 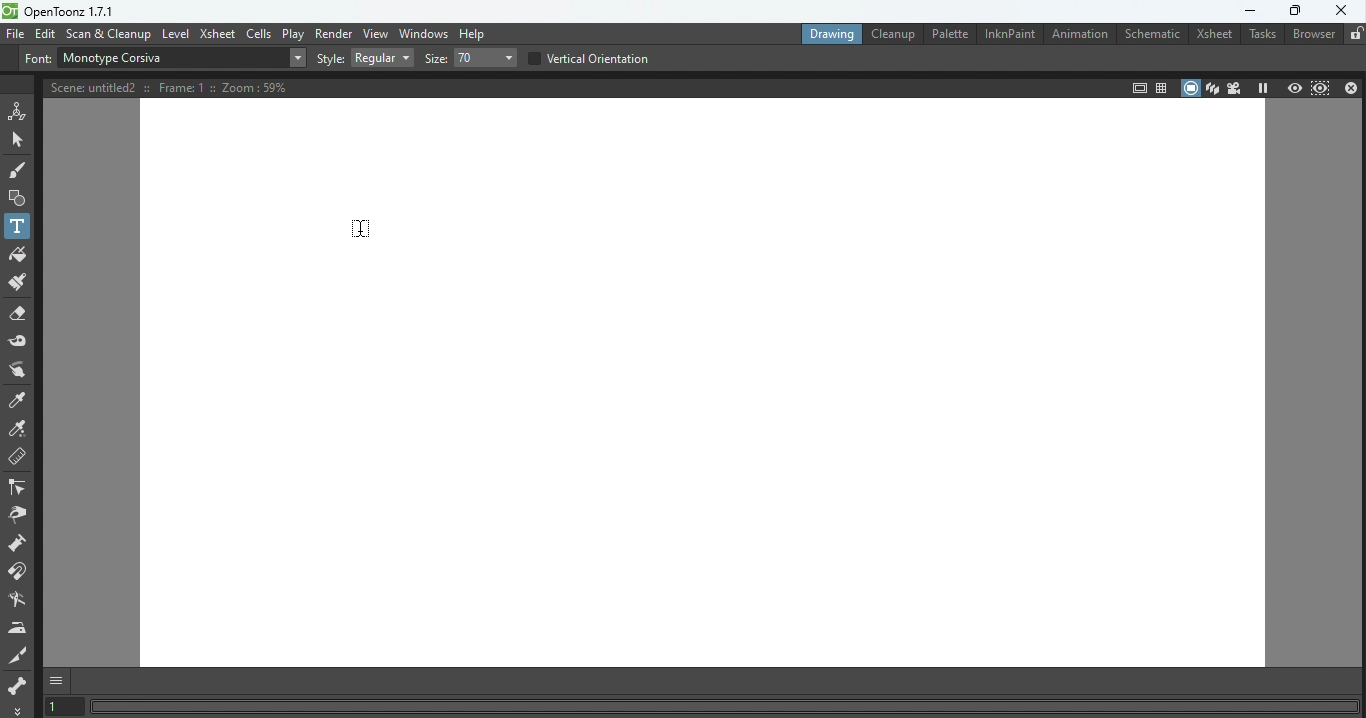 I want to click on Field guide, so click(x=1162, y=87).